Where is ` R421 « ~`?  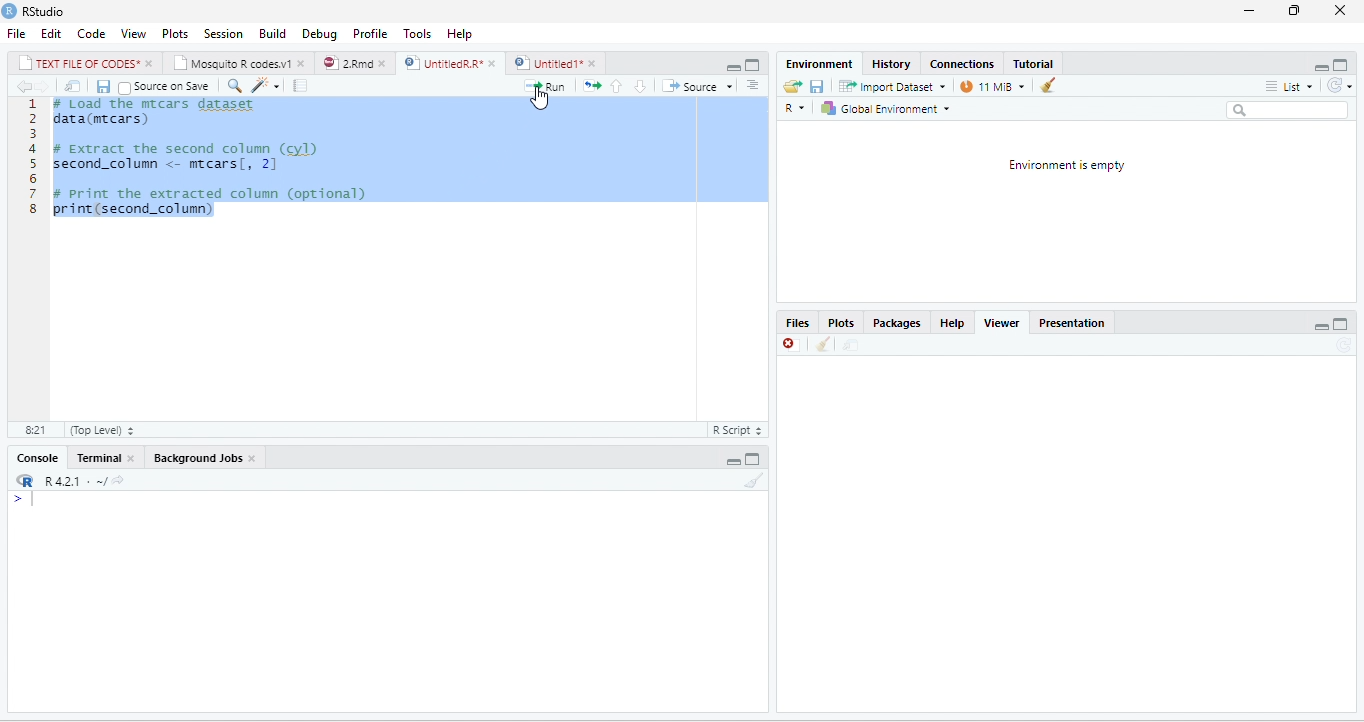
 R421 « ~ is located at coordinates (66, 478).